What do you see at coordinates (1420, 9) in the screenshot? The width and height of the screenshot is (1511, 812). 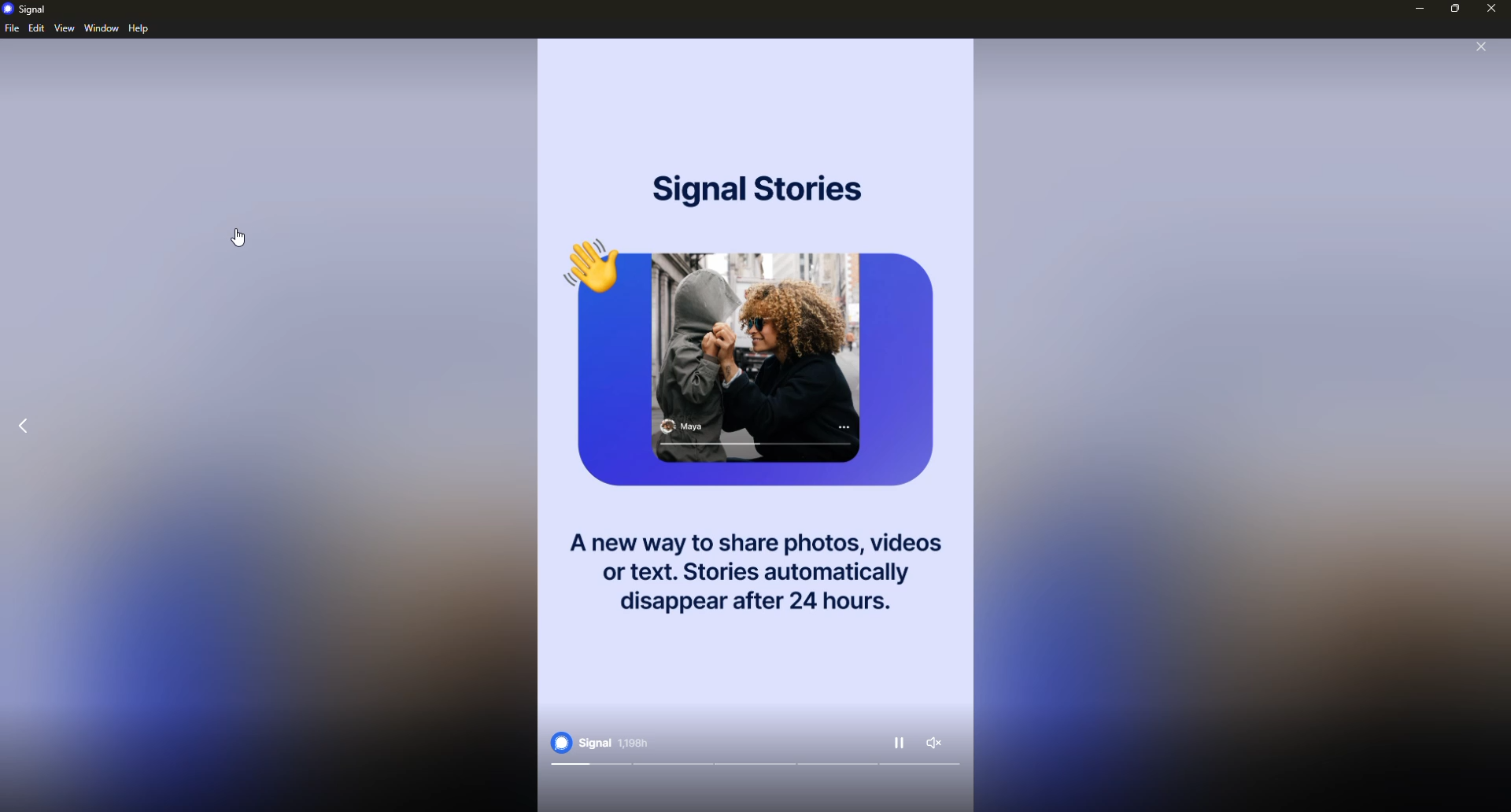 I see `minimize` at bounding box center [1420, 9].